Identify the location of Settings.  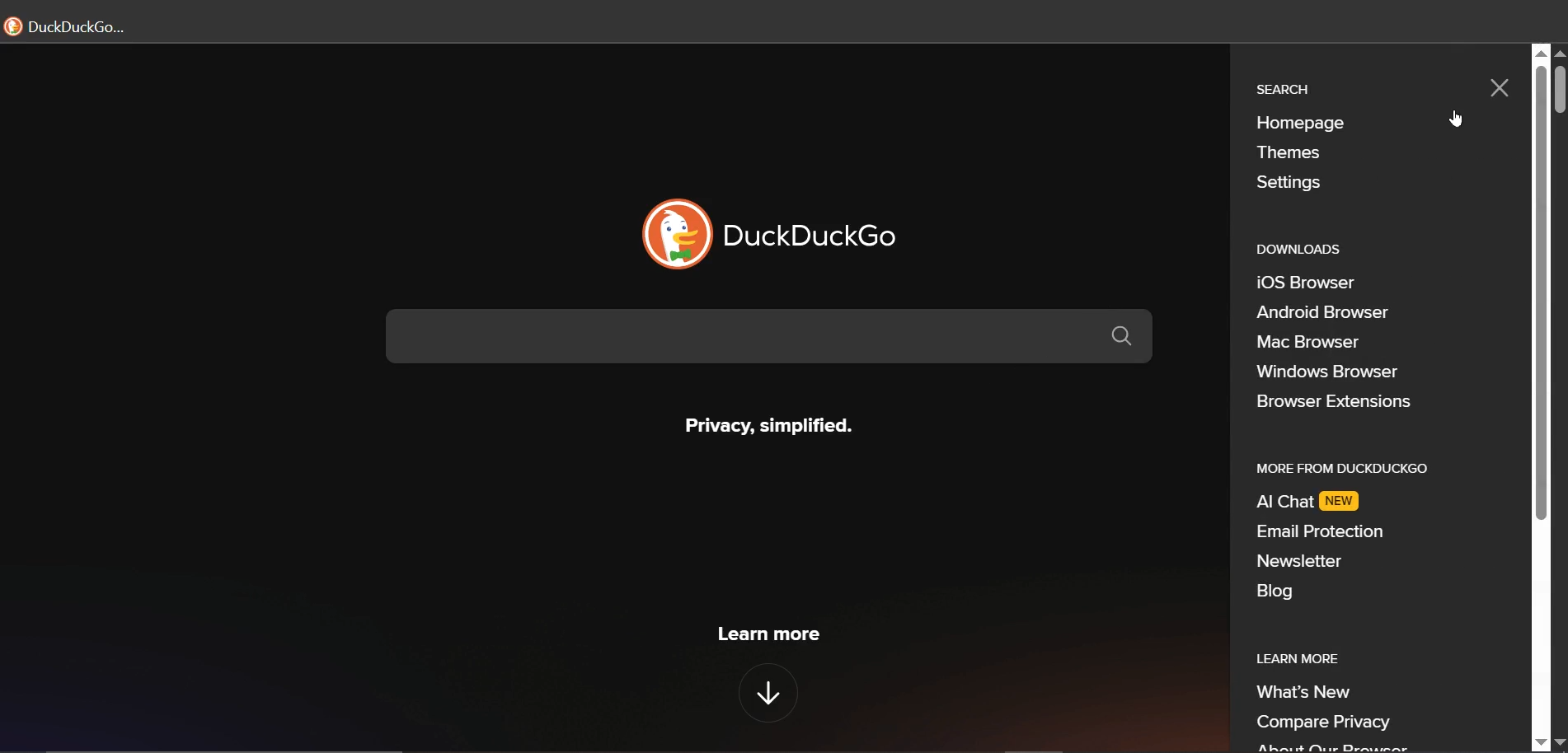
(1287, 185).